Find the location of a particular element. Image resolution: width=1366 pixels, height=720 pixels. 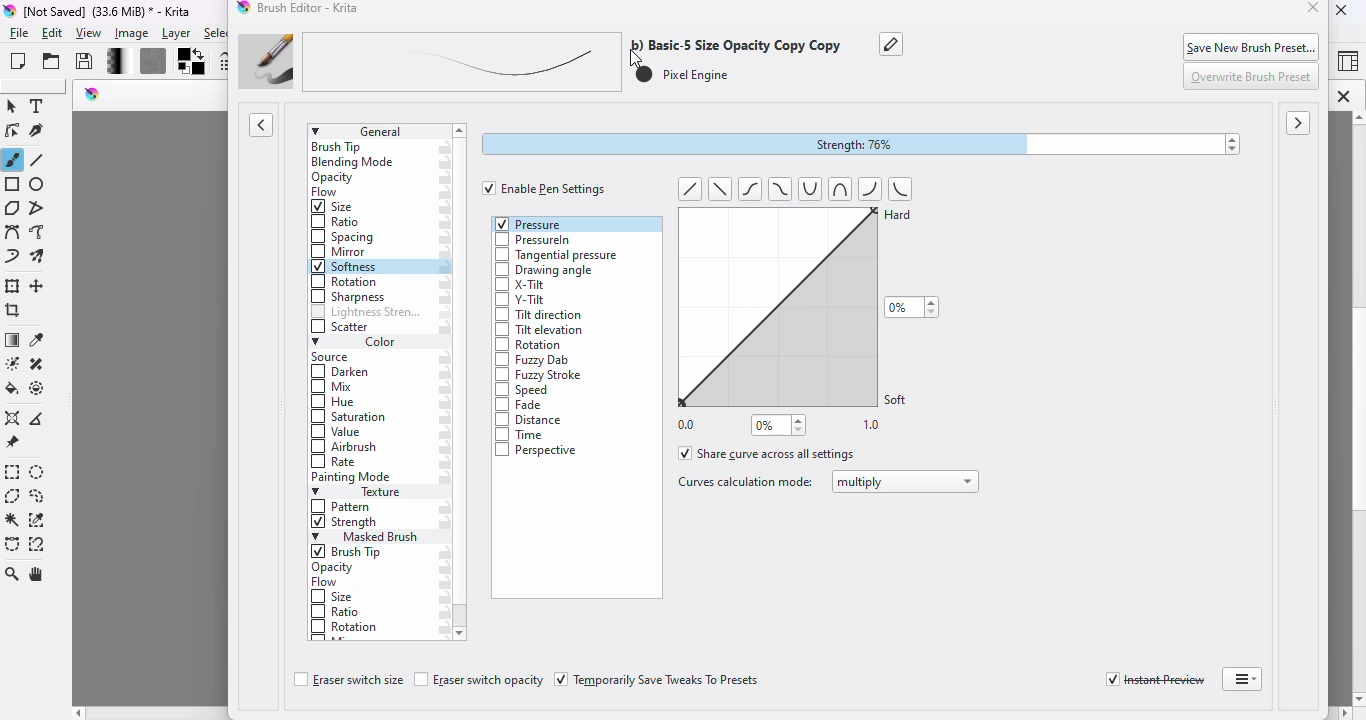

foreground/background color settings is located at coordinates (192, 62).